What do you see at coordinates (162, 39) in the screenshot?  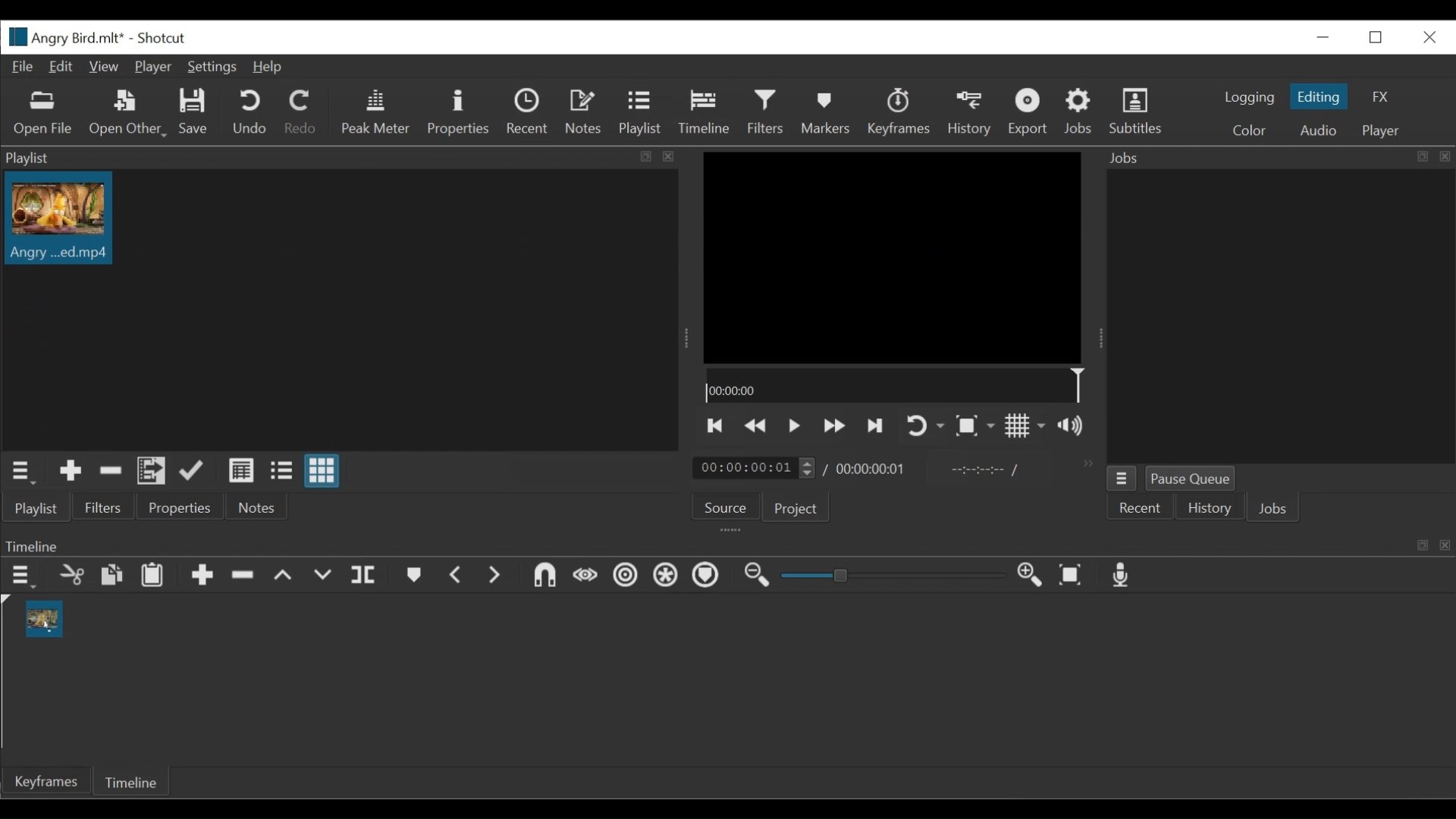 I see `Shotcut` at bounding box center [162, 39].